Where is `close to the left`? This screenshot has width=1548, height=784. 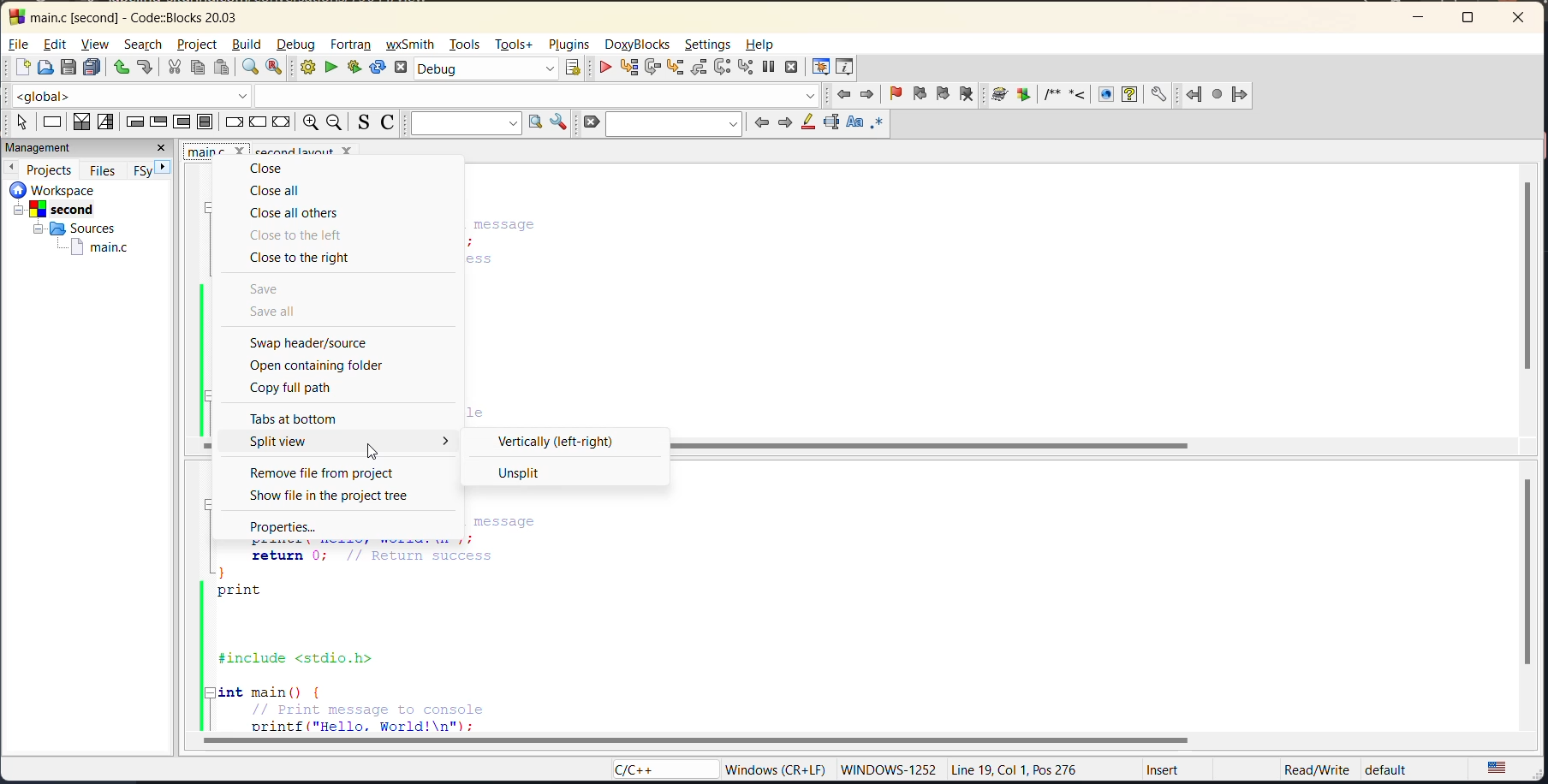 close to the left is located at coordinates (299, 235).